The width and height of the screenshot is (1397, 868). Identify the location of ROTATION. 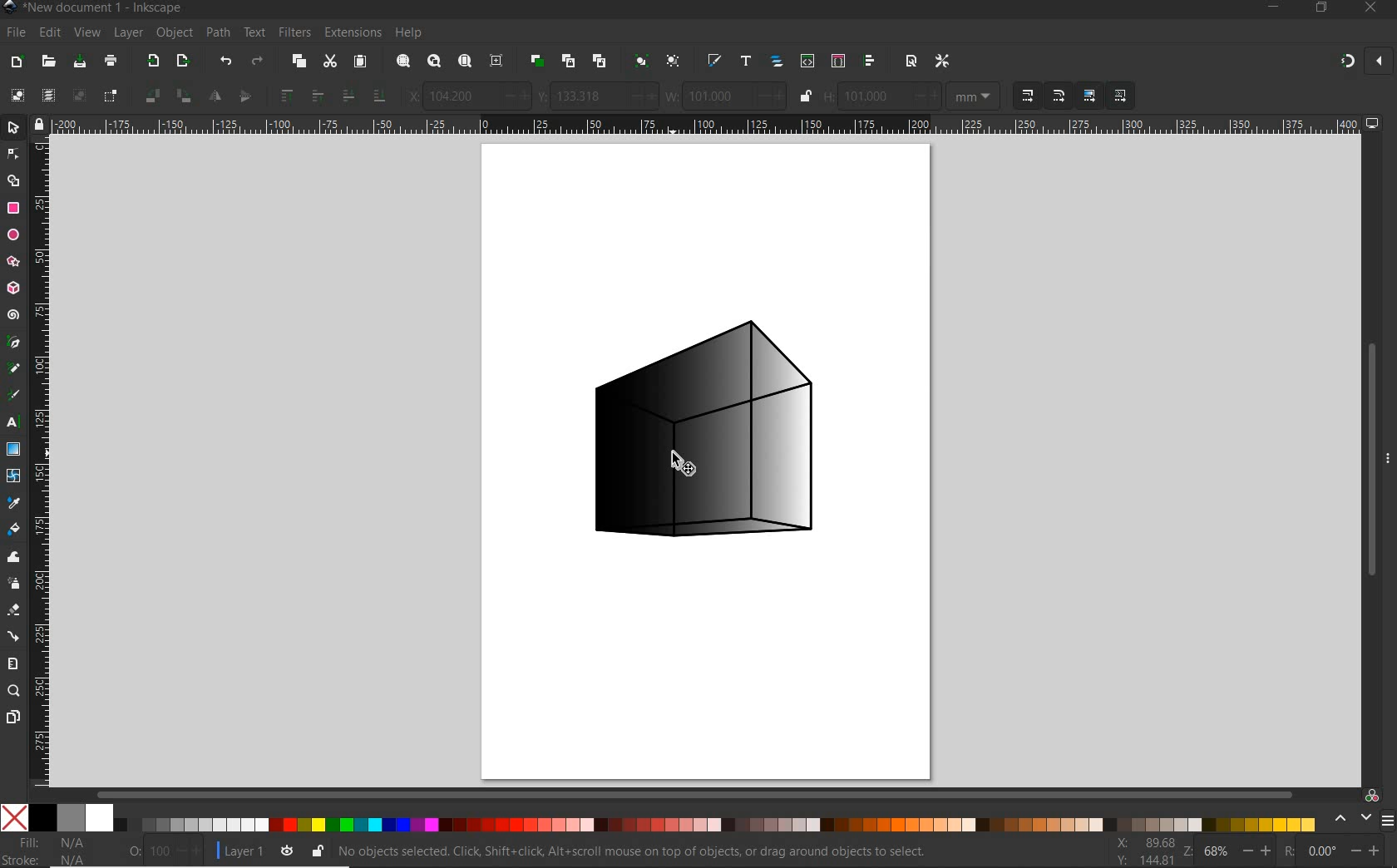
(1287, 851).